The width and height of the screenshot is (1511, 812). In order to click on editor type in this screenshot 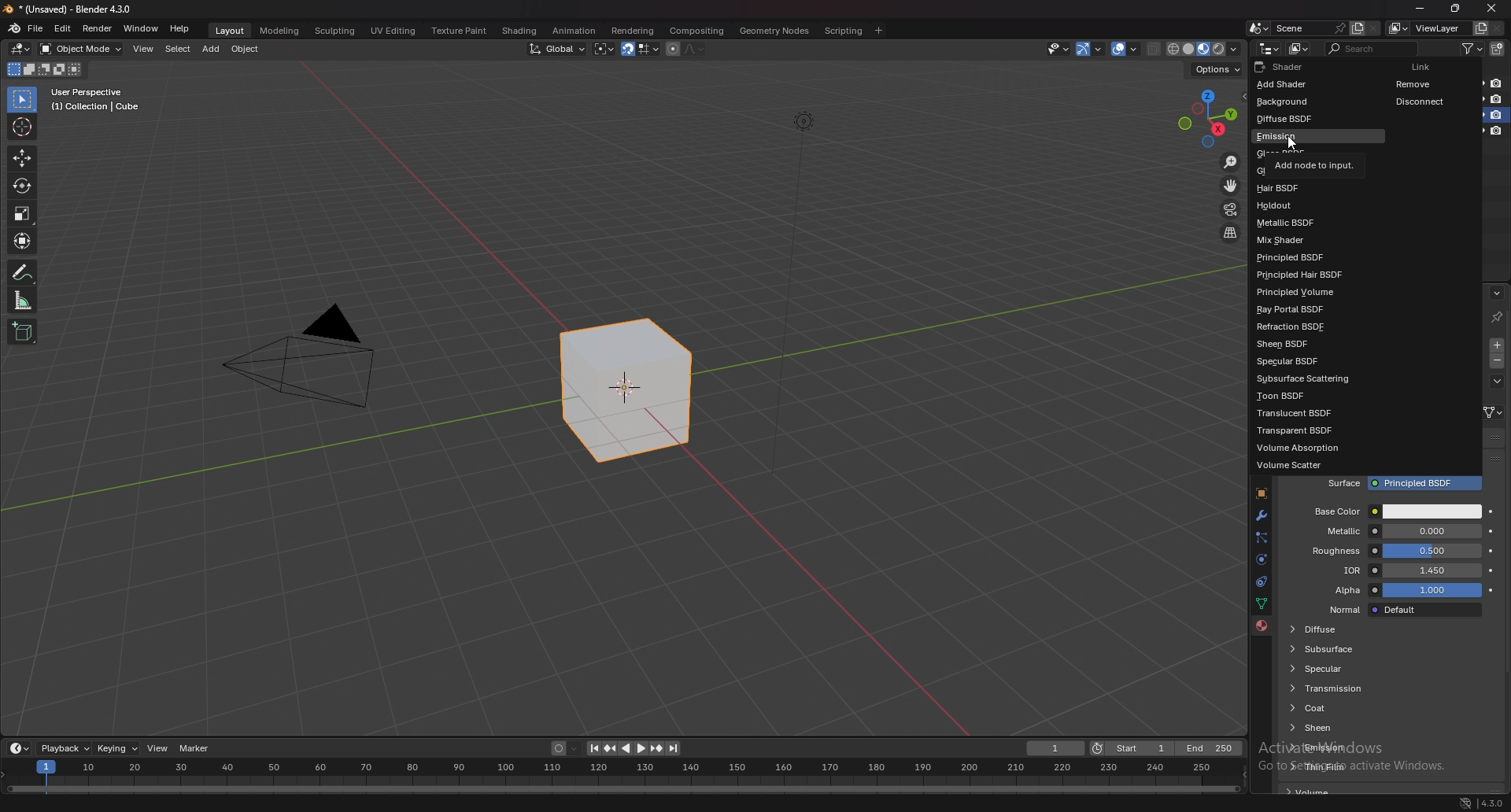, I will do `click(19, 748)`.